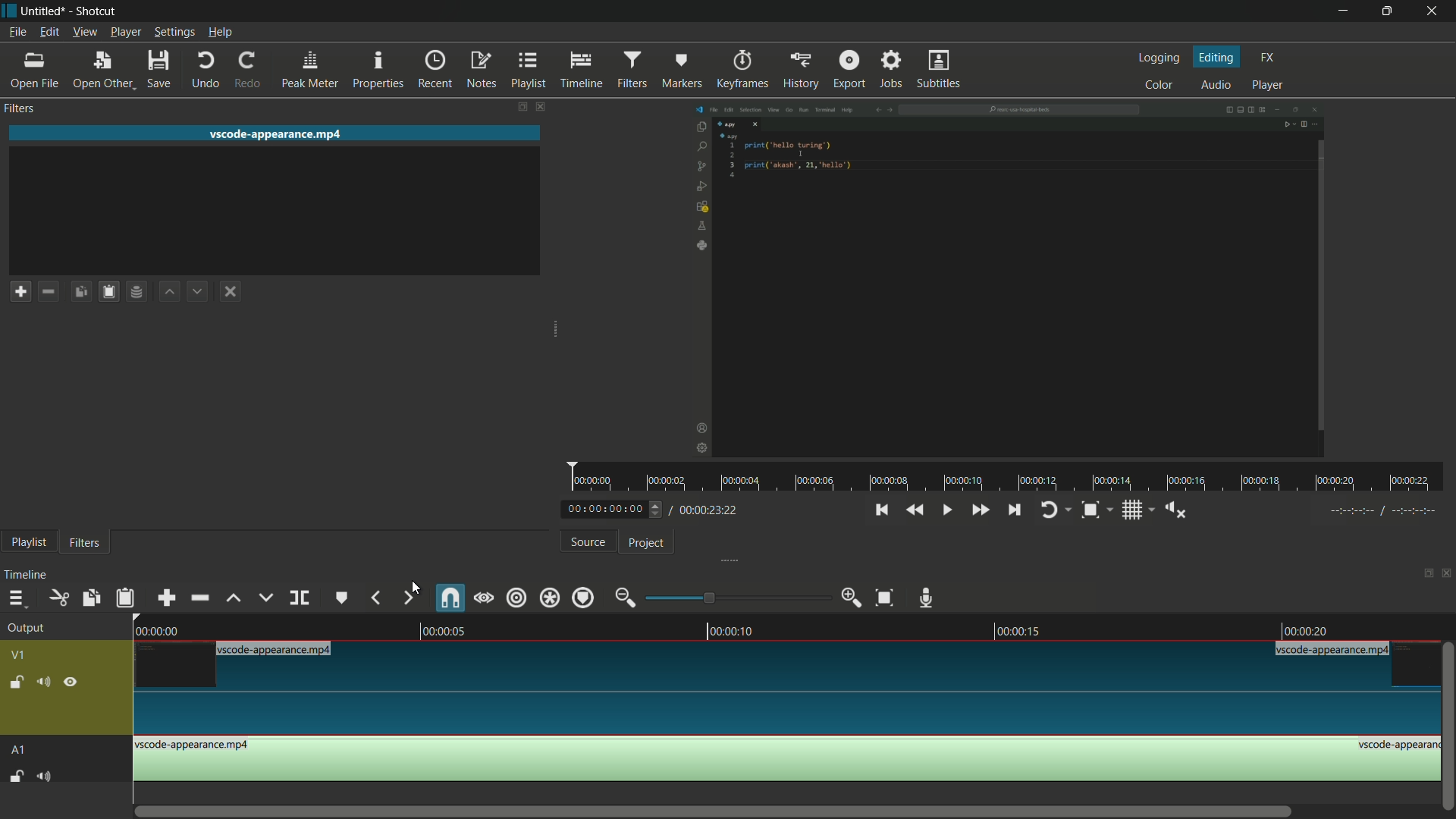 Image resolution: width=1456 pixels, height=819 pixels. Describe the element at coordinates (45, 12) in the screenshot. I see `project name` at that location.